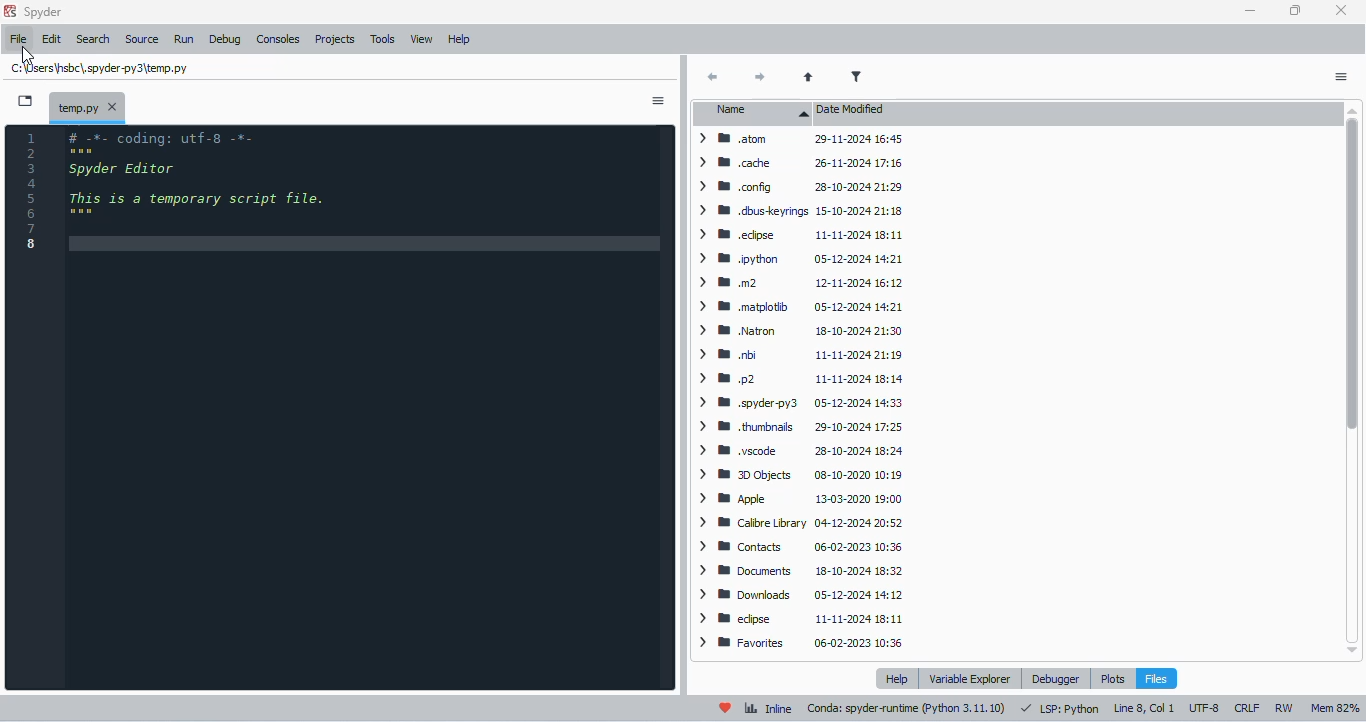 The image size is (1366, 722). Describe the element at coordinates (853, 110) in the screenshot. I see `date modified` at that location.